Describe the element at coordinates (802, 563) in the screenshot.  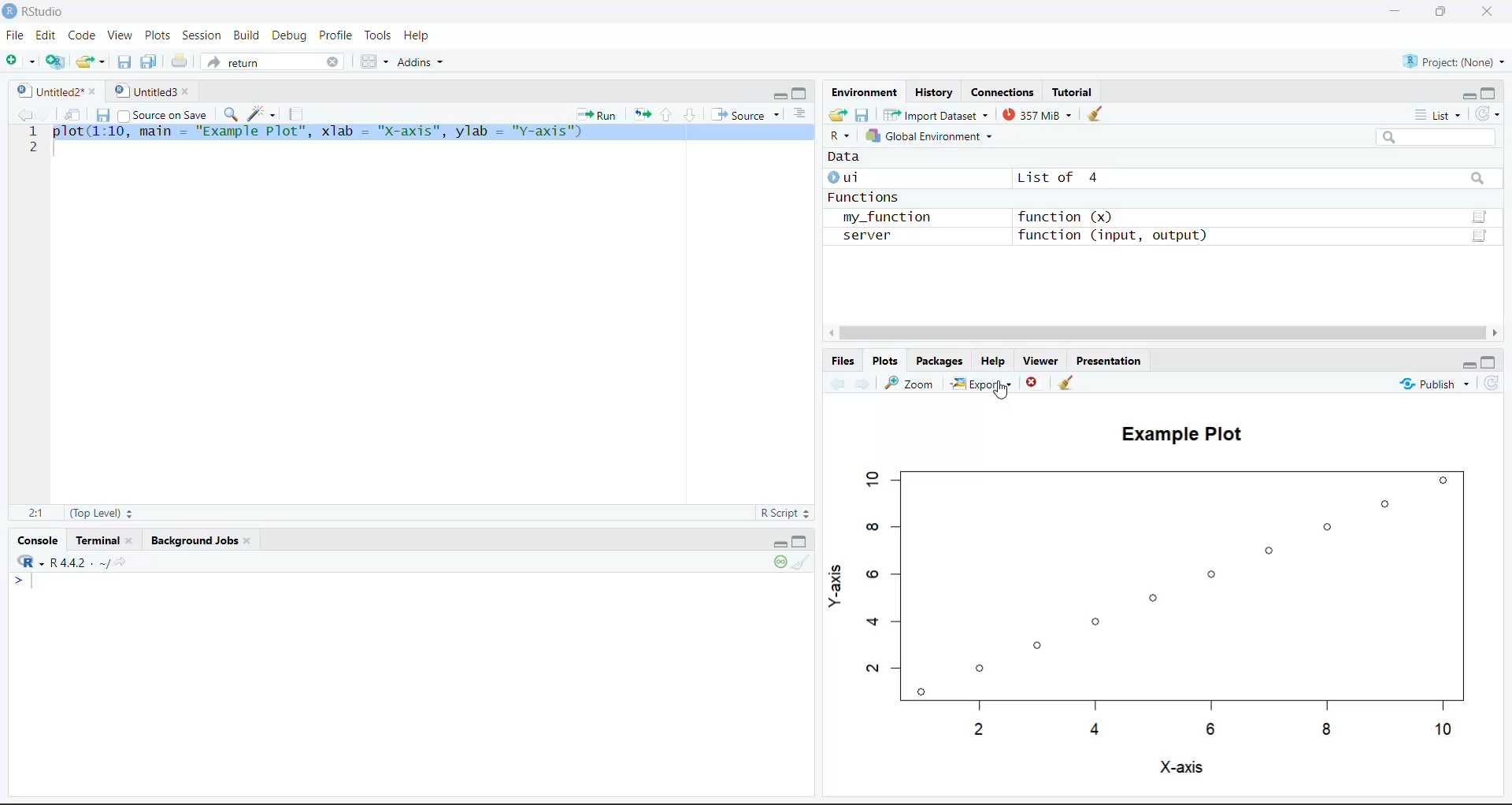
I see `Clear console (Ctrl +L)` at that location.